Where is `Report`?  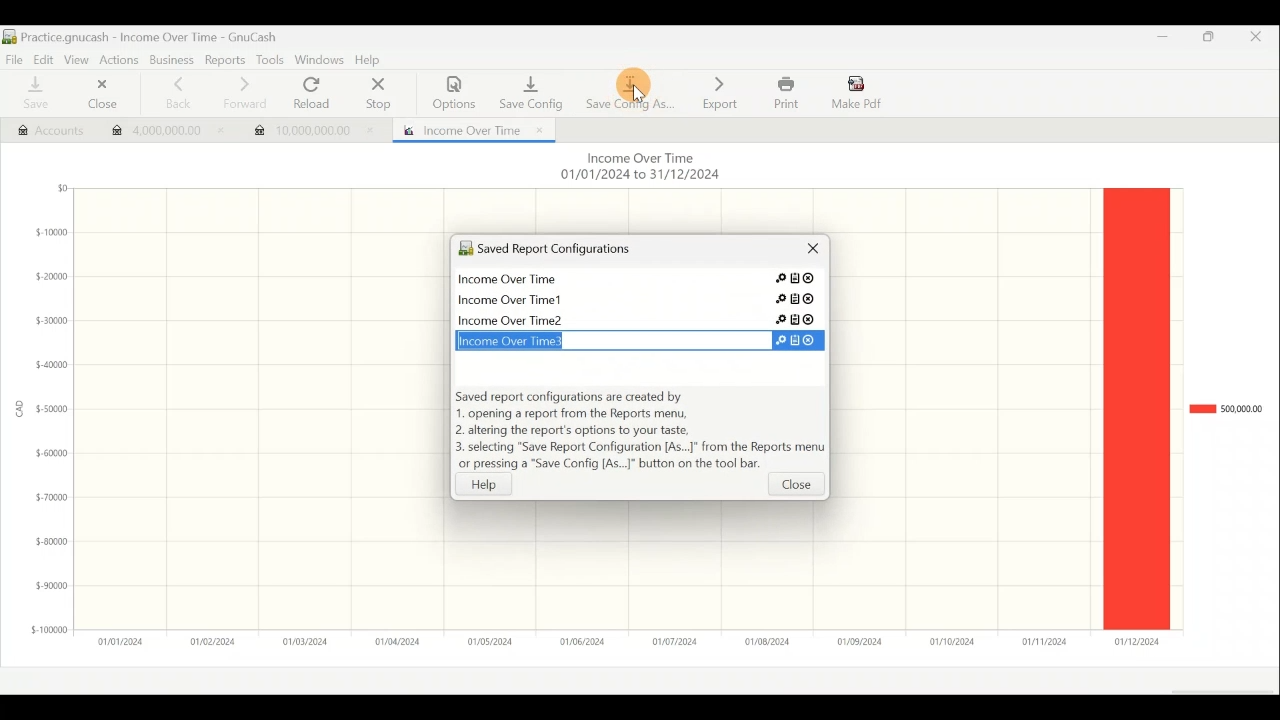
Report is located at coordinates (469, 128).